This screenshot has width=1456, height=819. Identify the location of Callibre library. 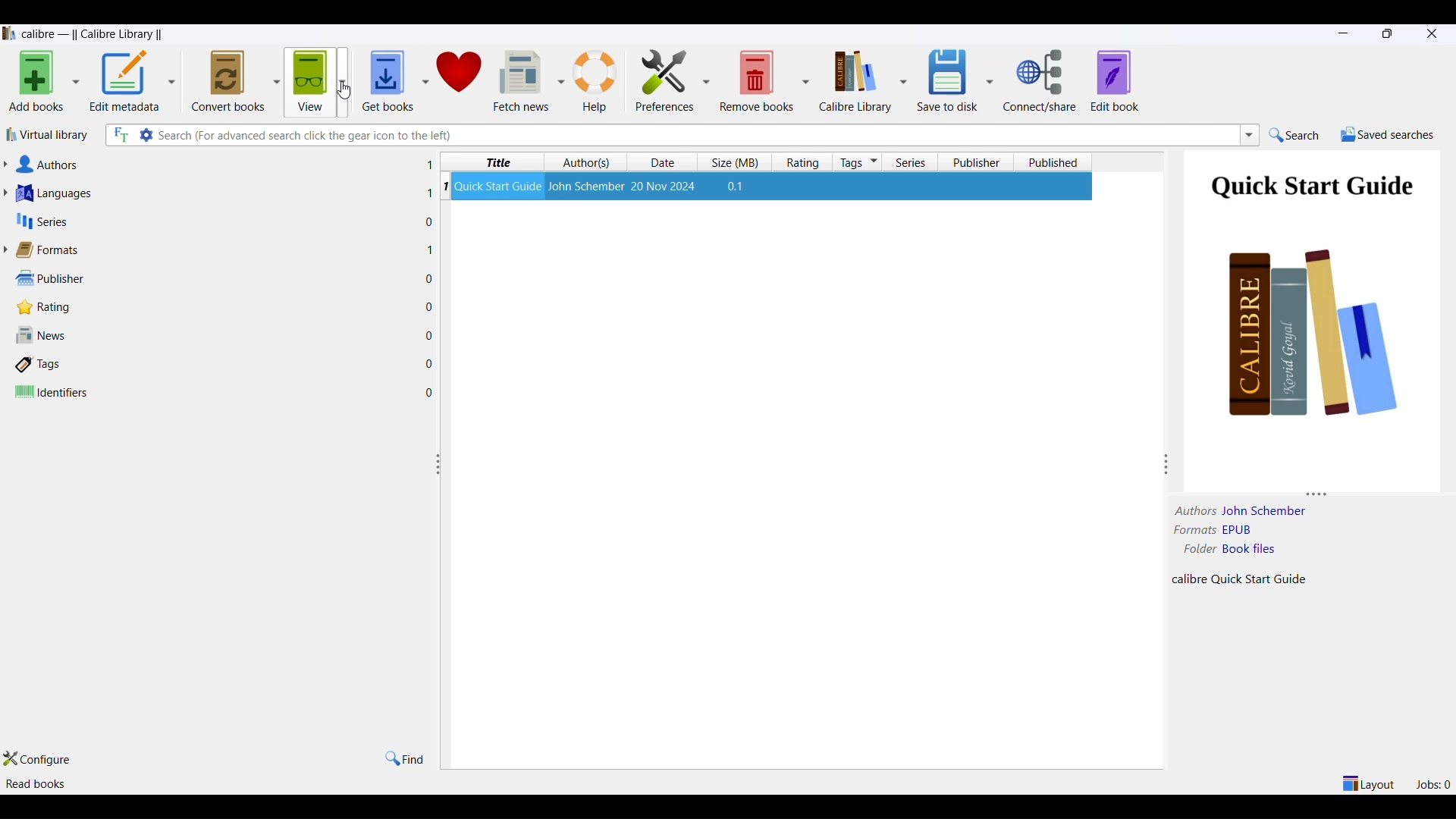
(90, 35).